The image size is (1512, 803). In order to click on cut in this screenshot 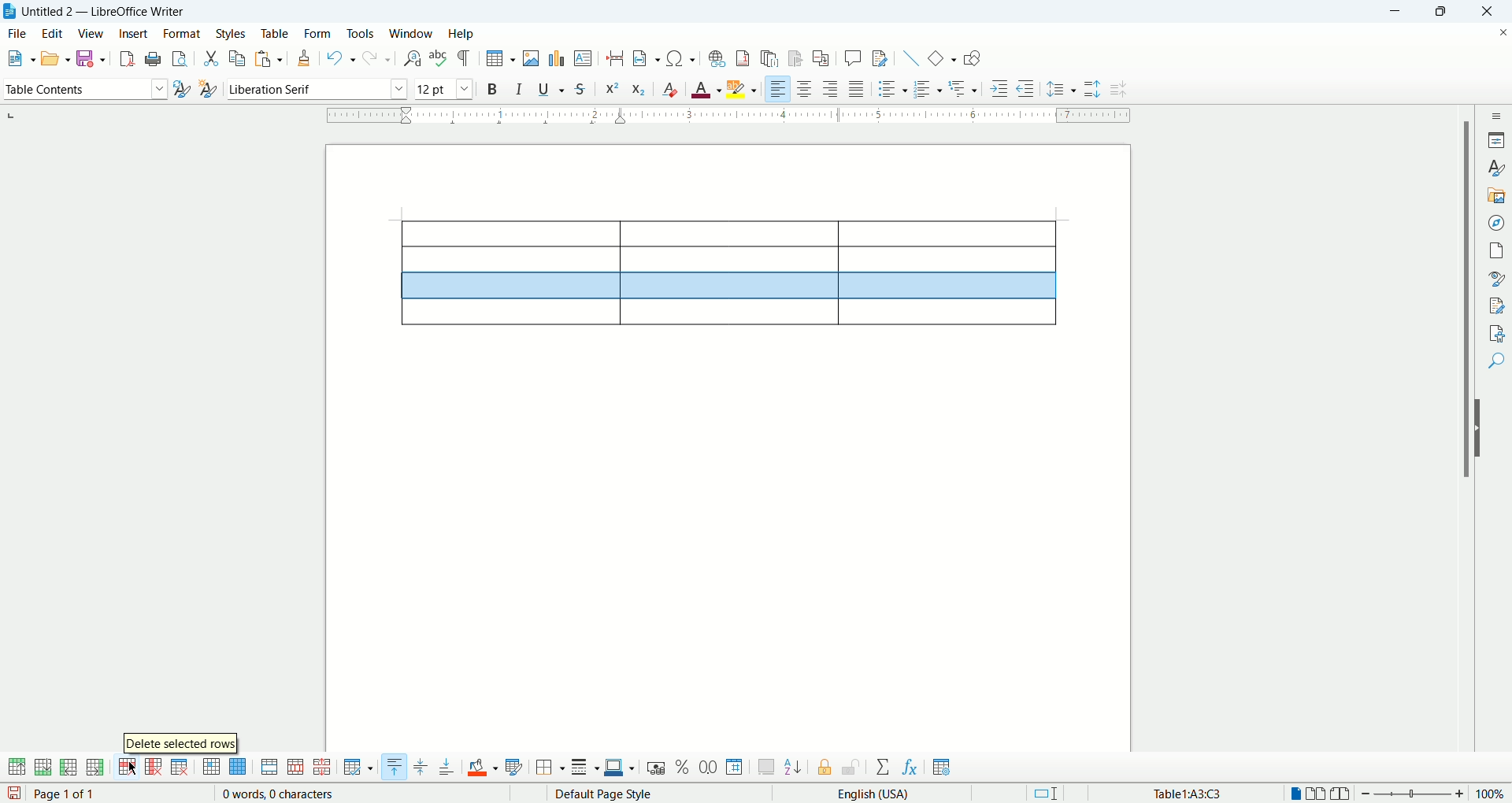, I will do `click(213, 59)`.